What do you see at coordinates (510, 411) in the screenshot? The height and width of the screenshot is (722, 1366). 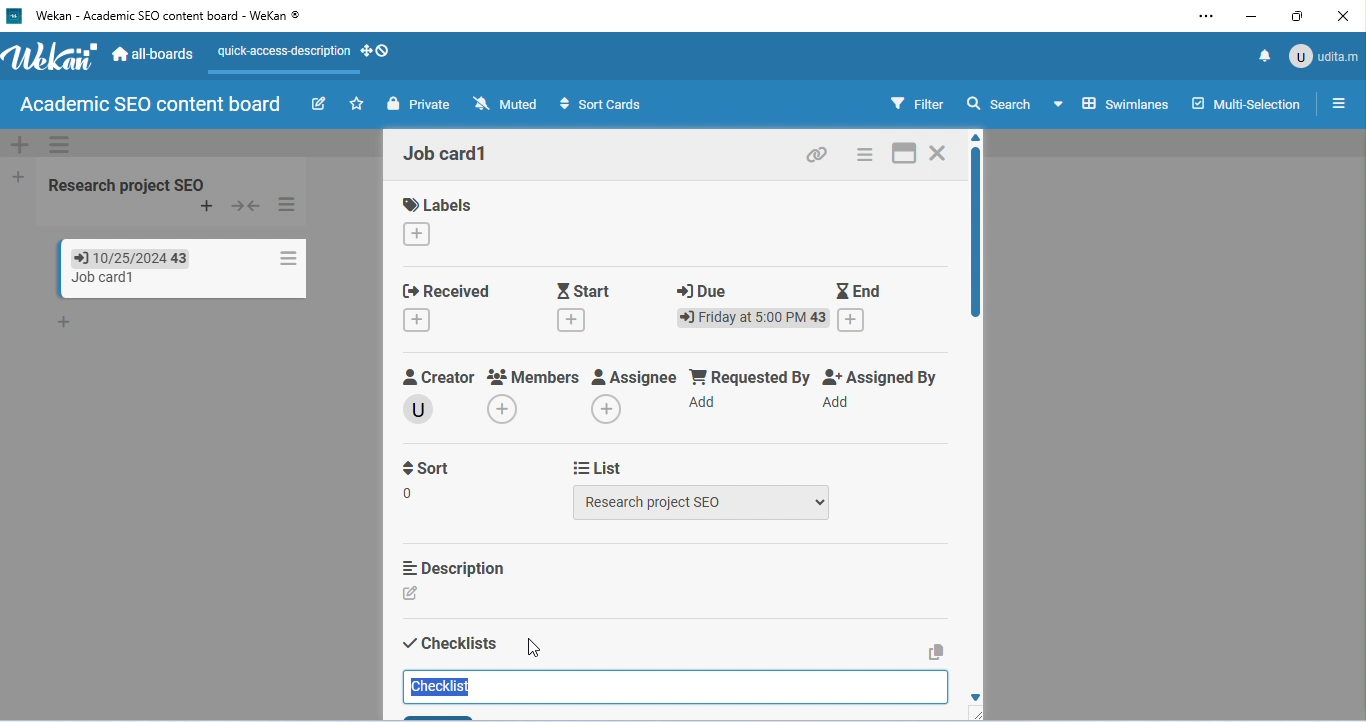 I see `add members` at bounding box center [510, 411].